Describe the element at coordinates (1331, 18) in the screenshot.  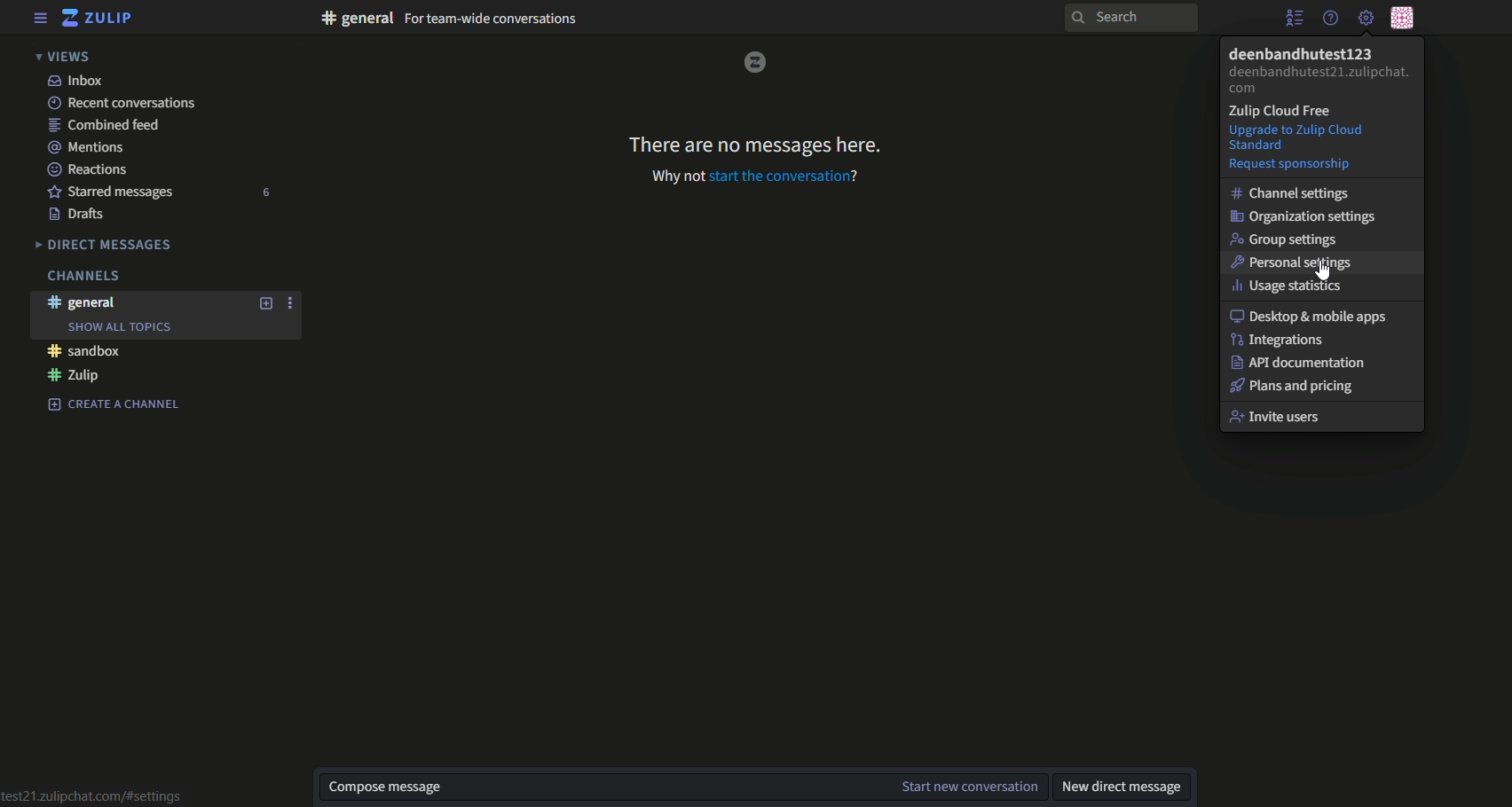
I see `help menu` at that location.